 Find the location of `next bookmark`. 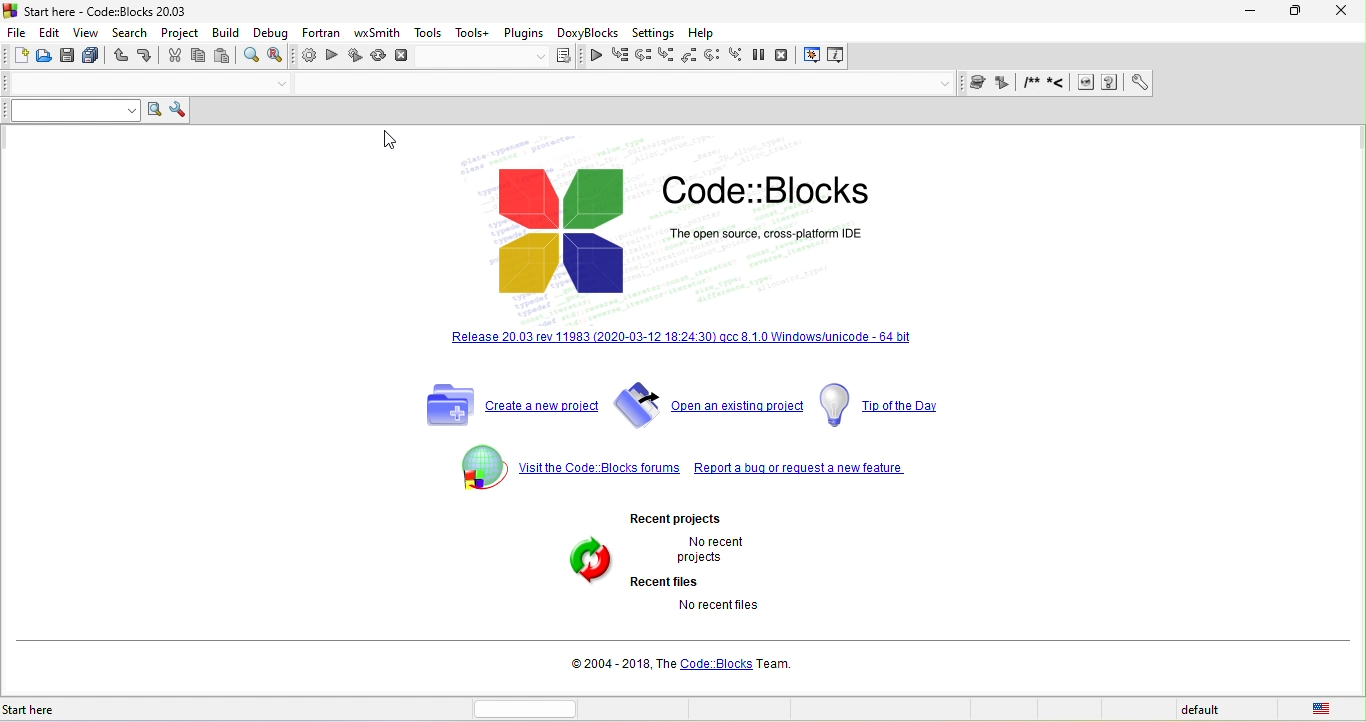

next bookmark is located at coordinates (1077, 84).